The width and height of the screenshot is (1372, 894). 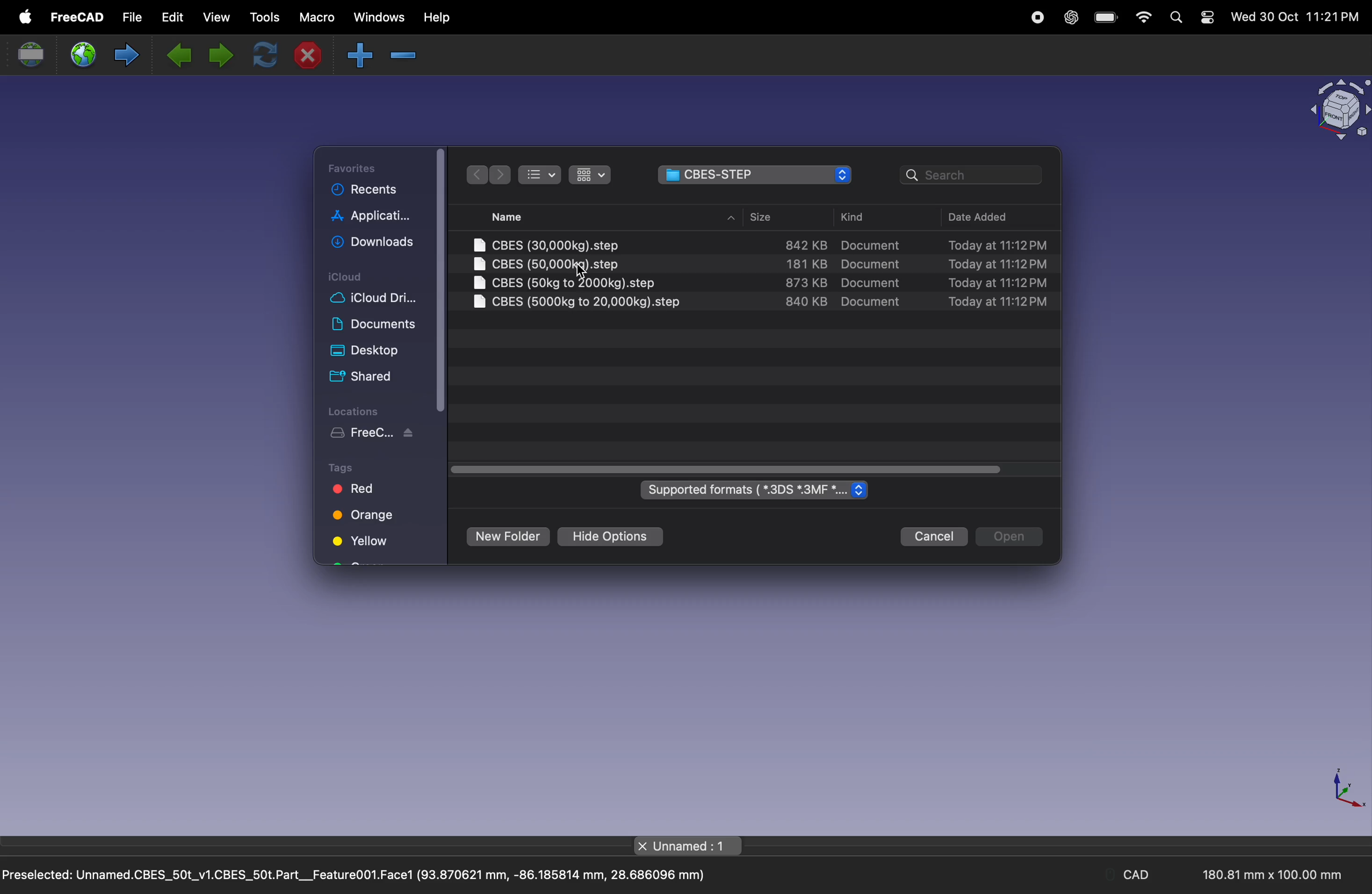 I want to click on name, so click(x=555, y=216).